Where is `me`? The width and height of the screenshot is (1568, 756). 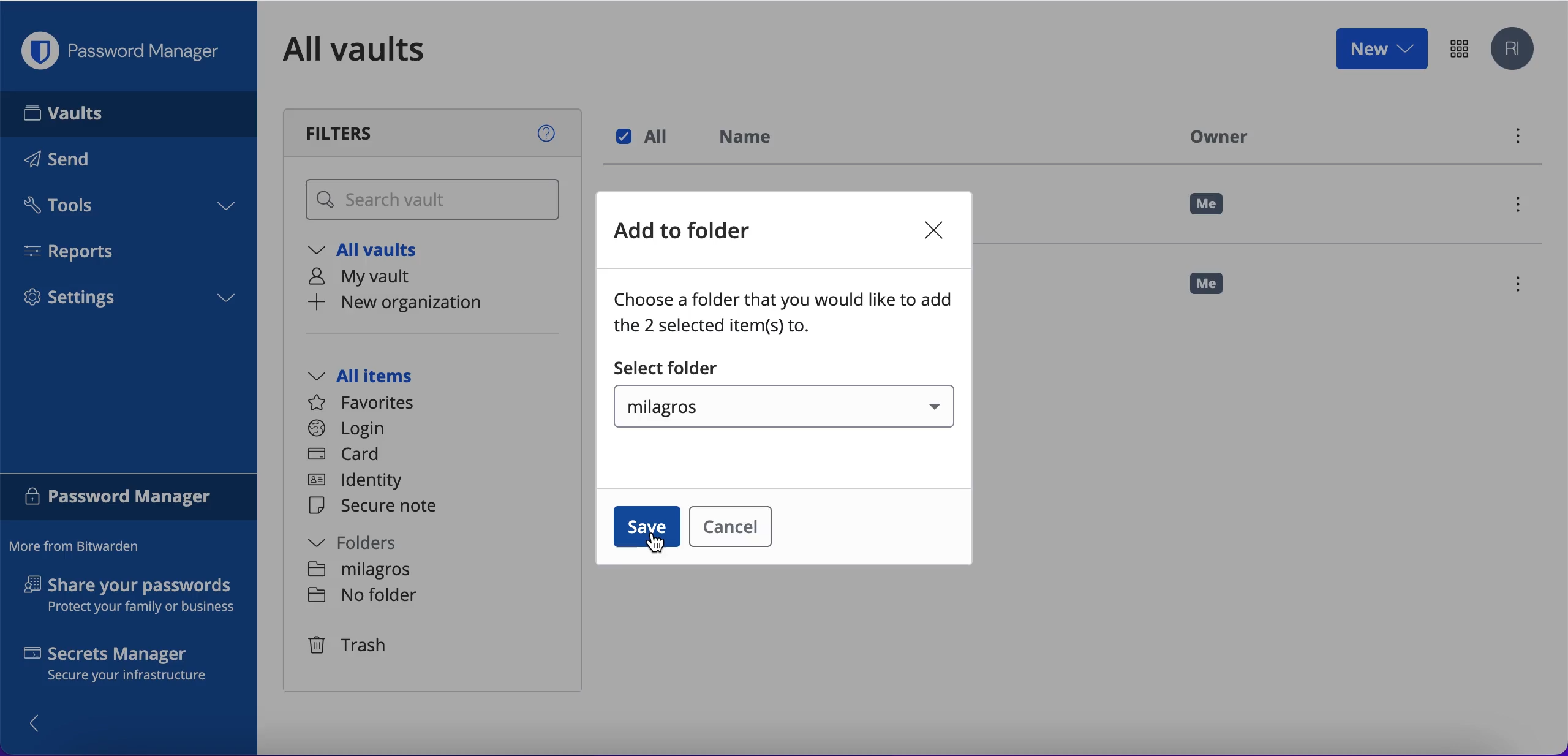 me is located at coordinates (1216, 289).